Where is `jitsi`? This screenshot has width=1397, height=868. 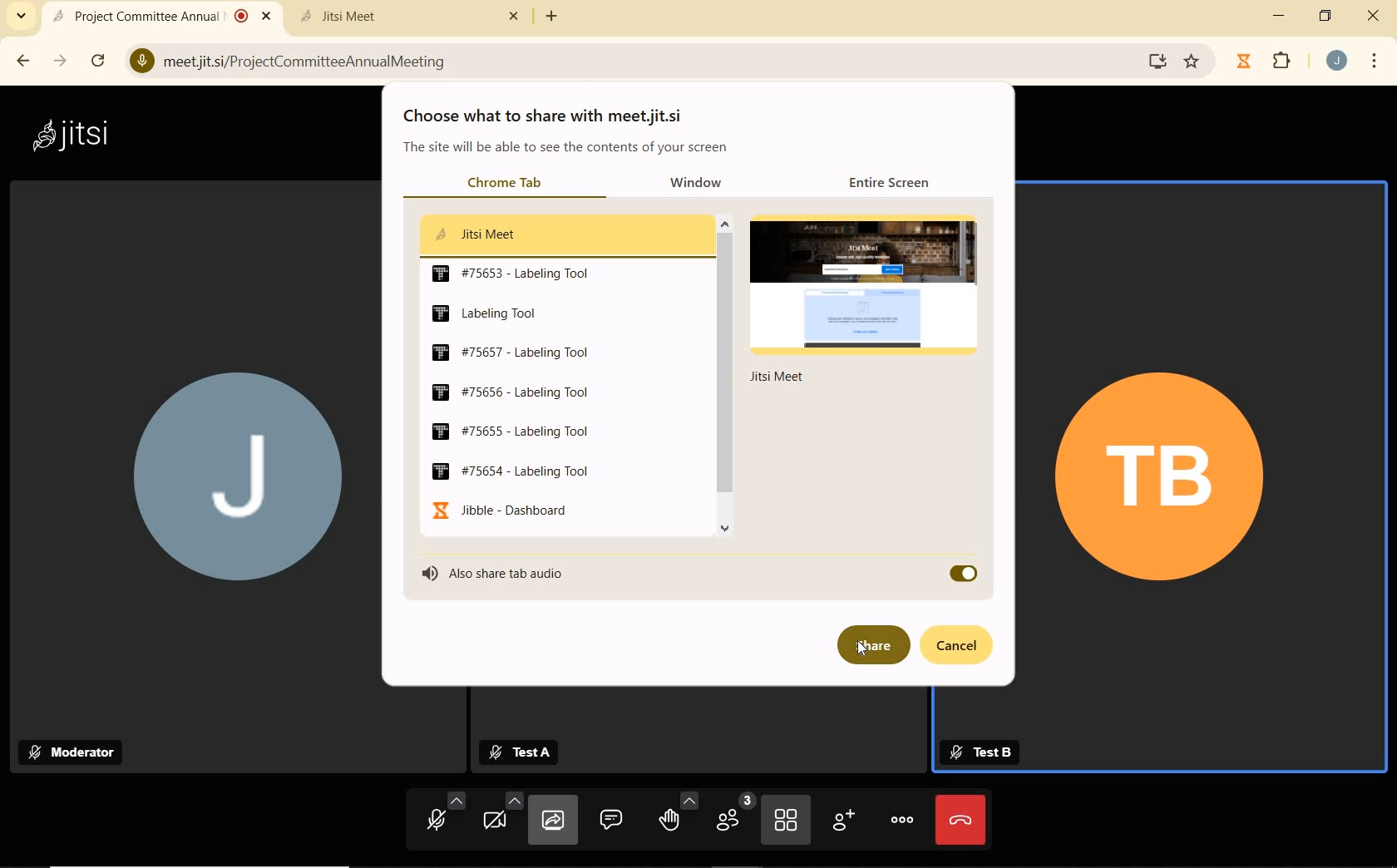 jitsi is located at coordinates (69, 134).